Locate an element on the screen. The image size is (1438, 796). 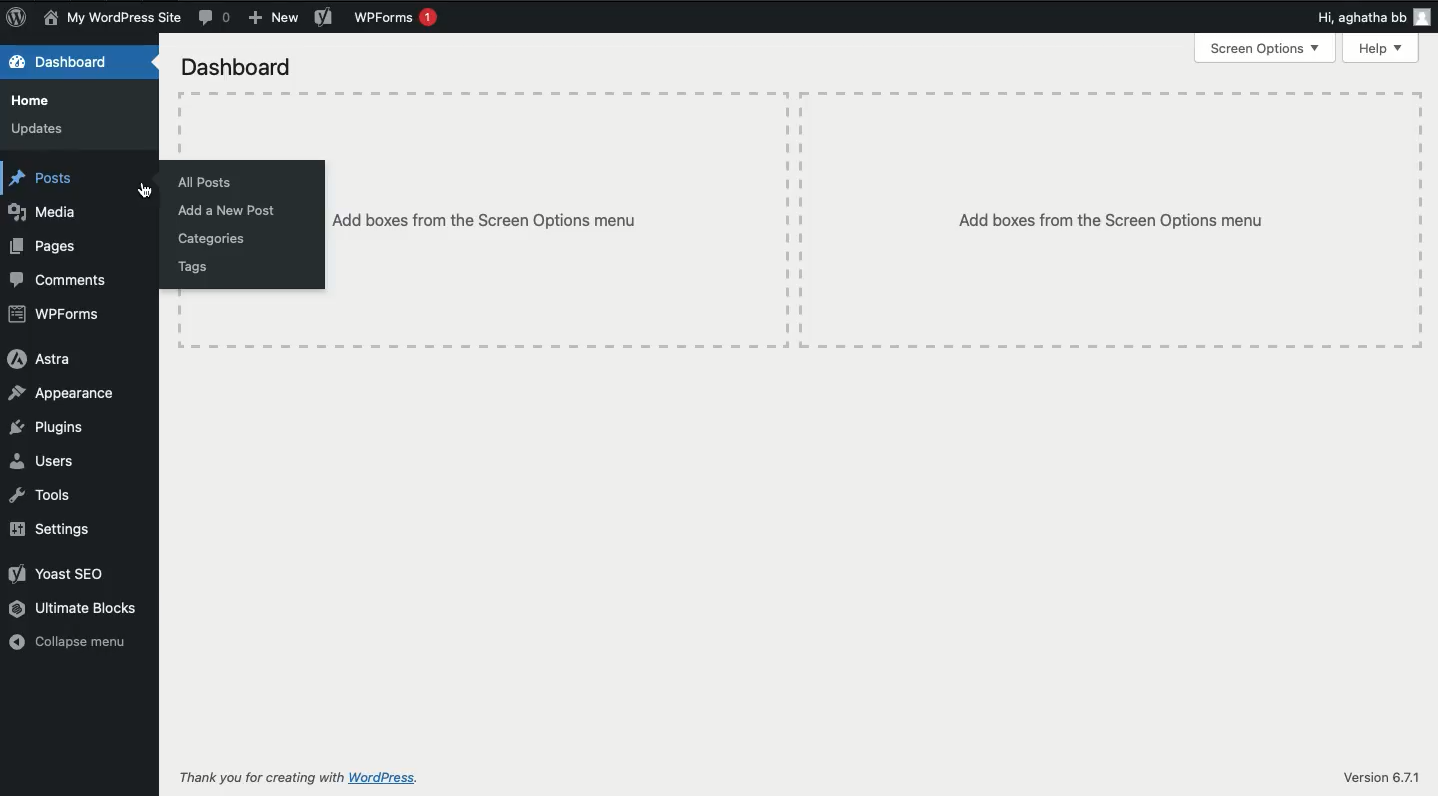
WPForms is located at coordinates (395, 19).